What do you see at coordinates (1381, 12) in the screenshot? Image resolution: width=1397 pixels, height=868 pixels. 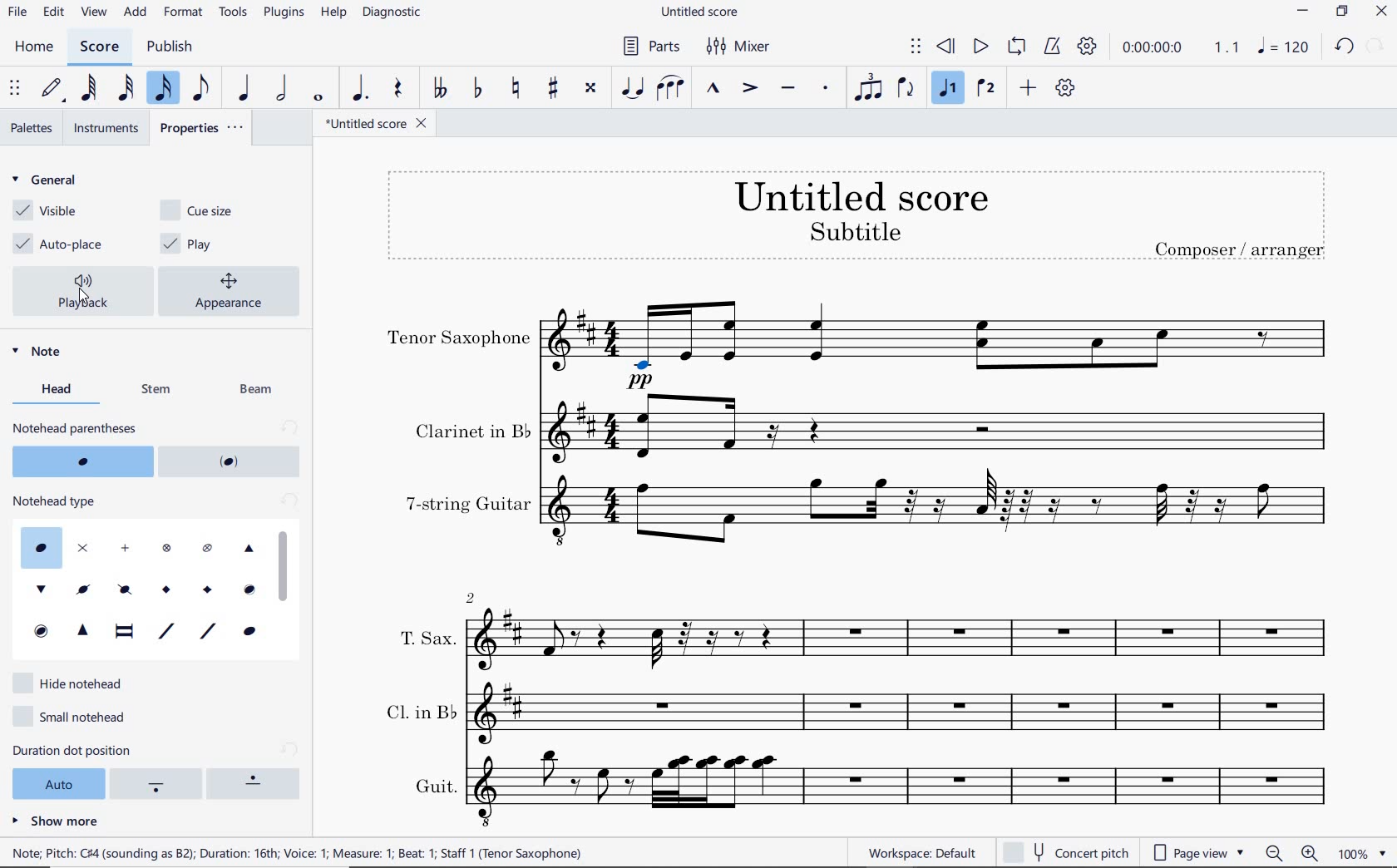 I see `close` at bounding box center [1381, 12].